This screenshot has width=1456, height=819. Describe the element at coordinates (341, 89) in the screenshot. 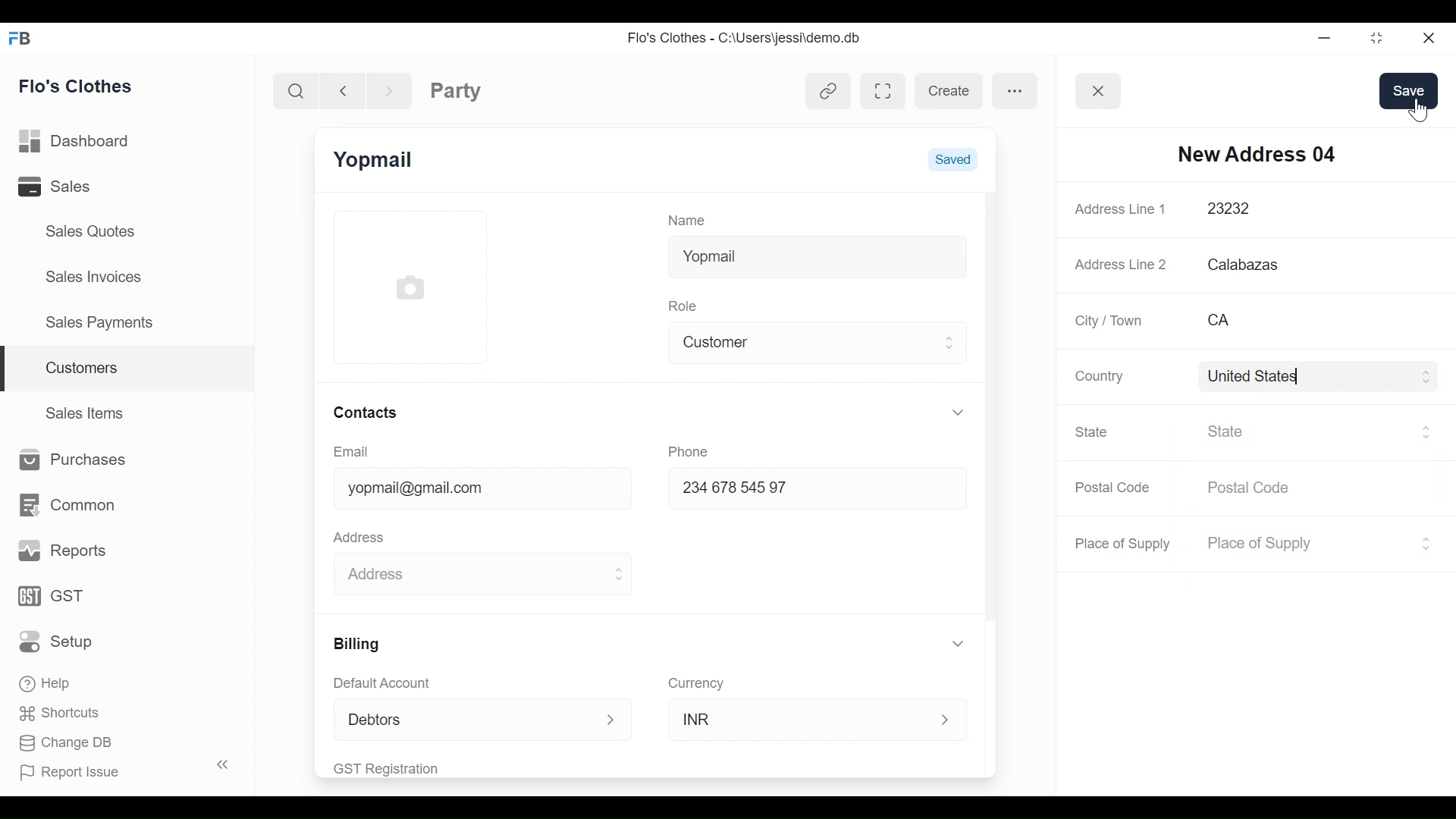

I see `Navigate back` at that location.